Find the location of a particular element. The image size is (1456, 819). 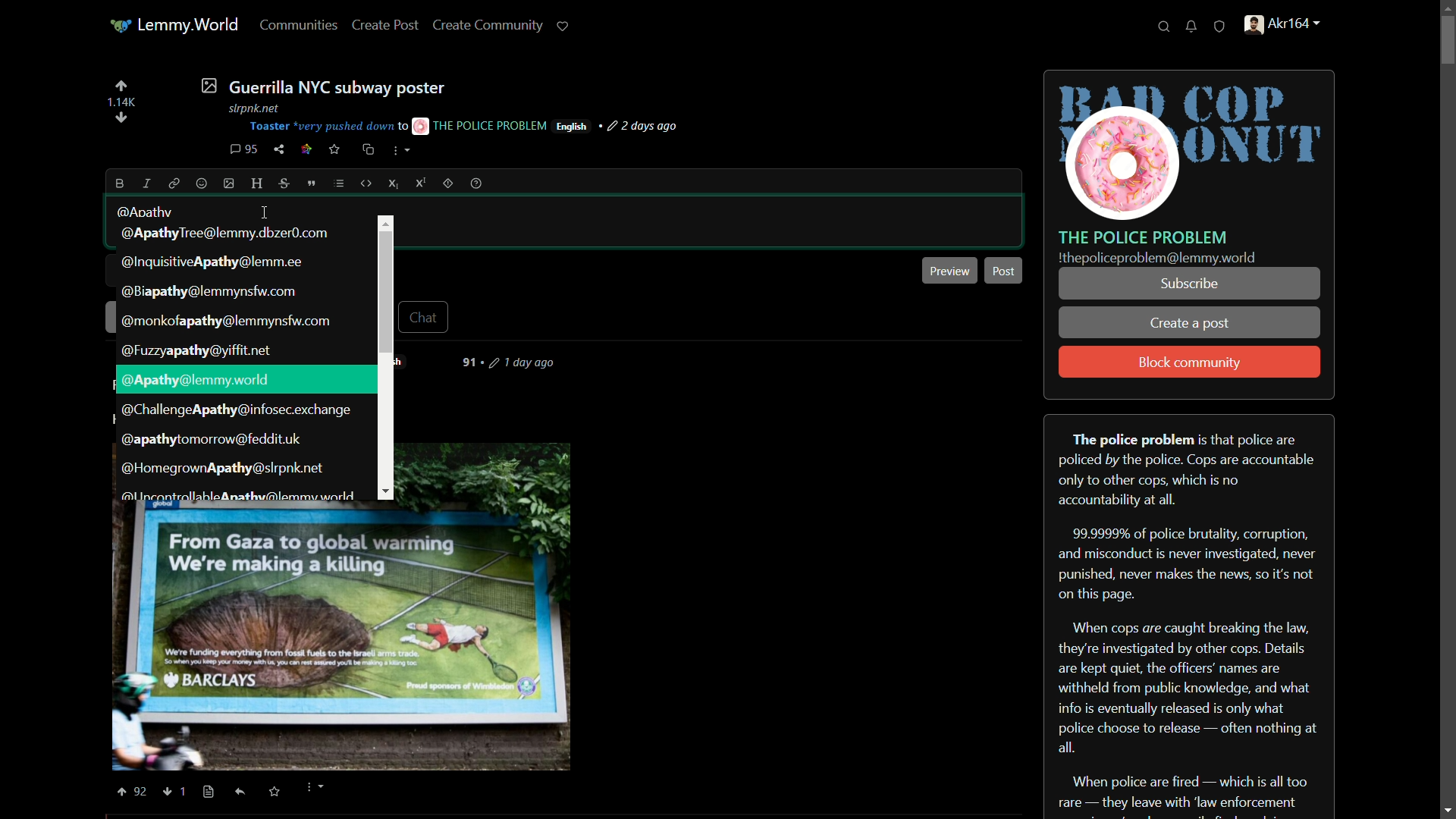

server name is located at coordinates (1144, 237).